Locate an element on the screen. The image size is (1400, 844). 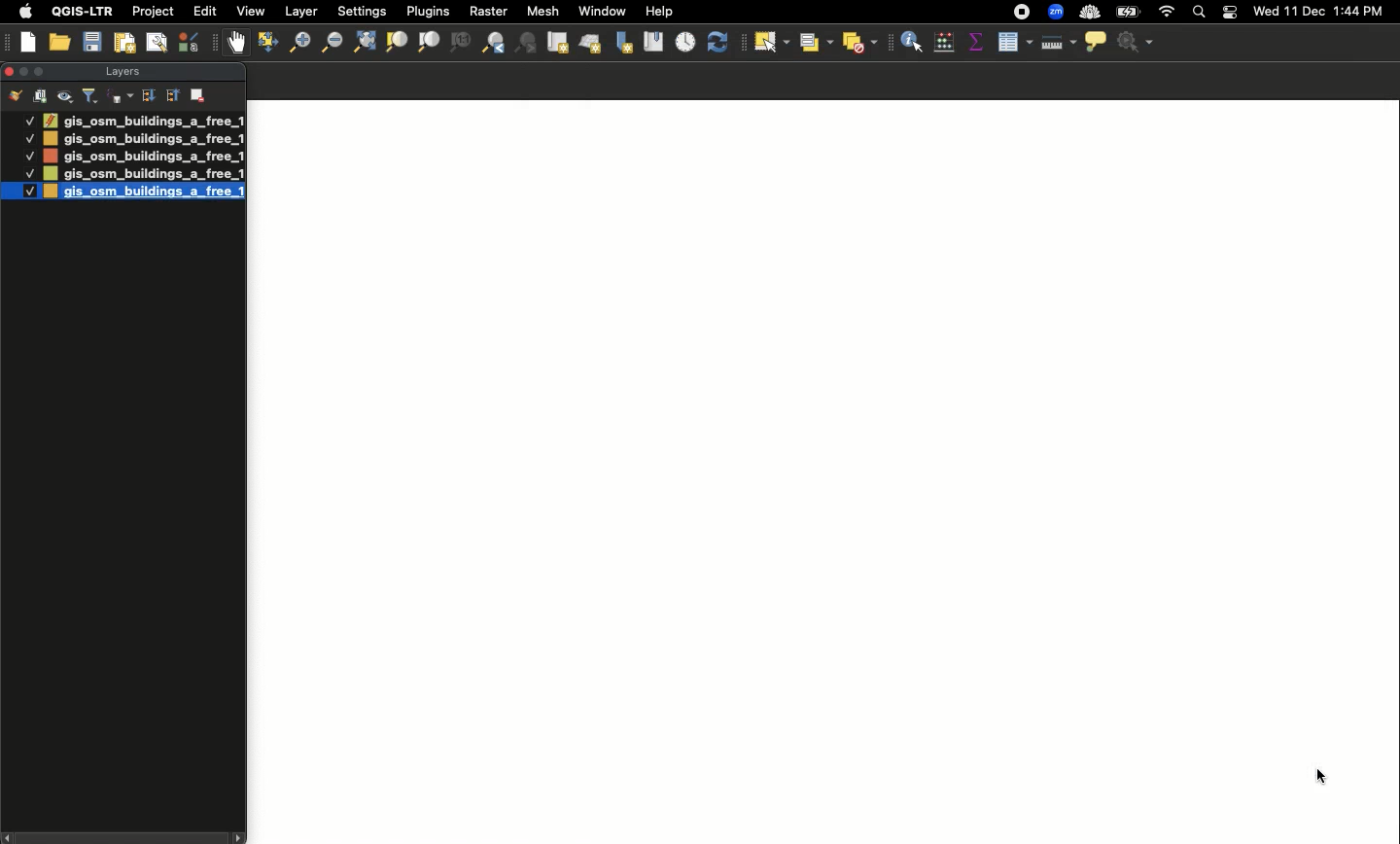
New map view is located at coordinates (556, 43).